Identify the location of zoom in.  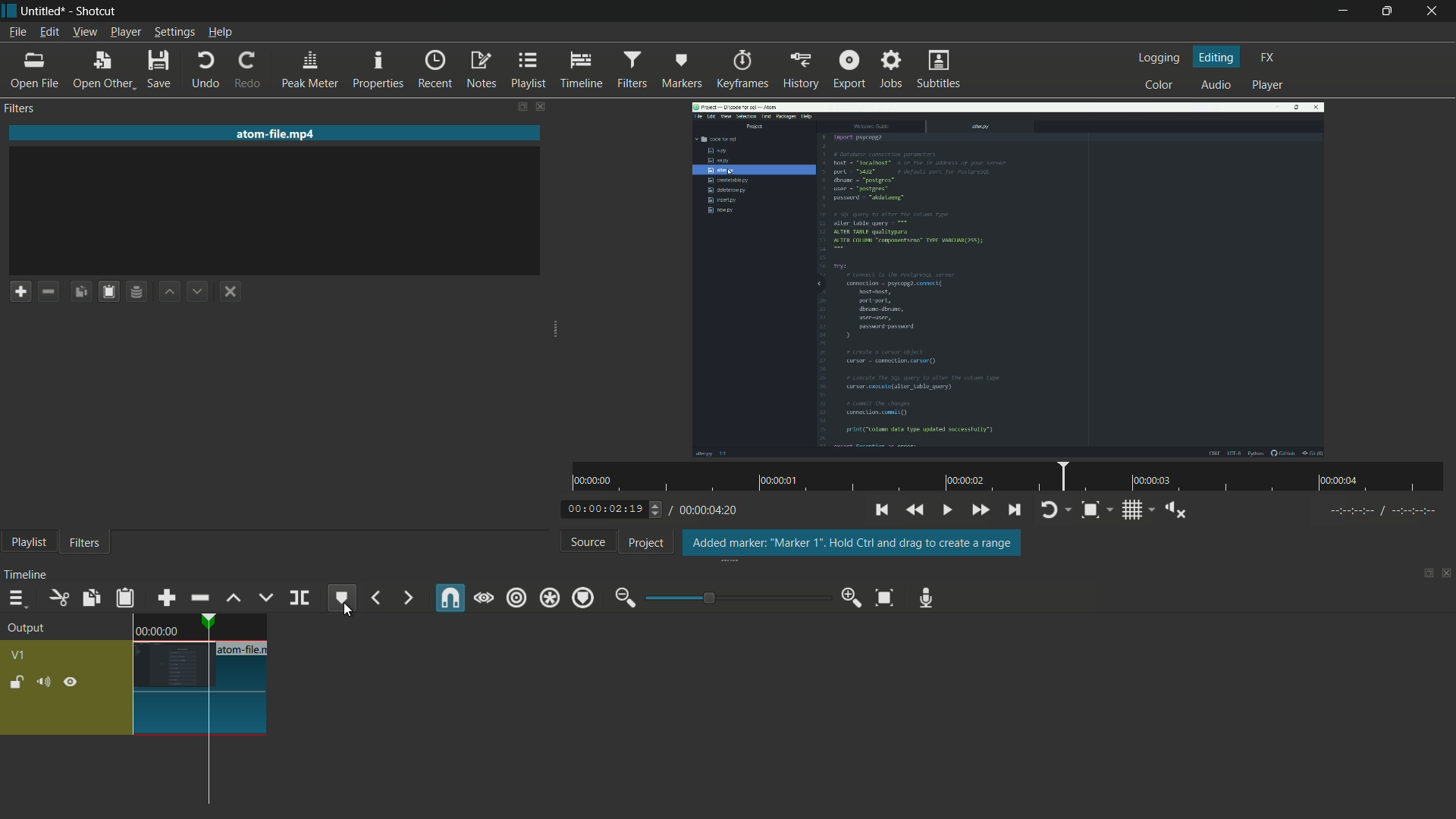
(853, 599).